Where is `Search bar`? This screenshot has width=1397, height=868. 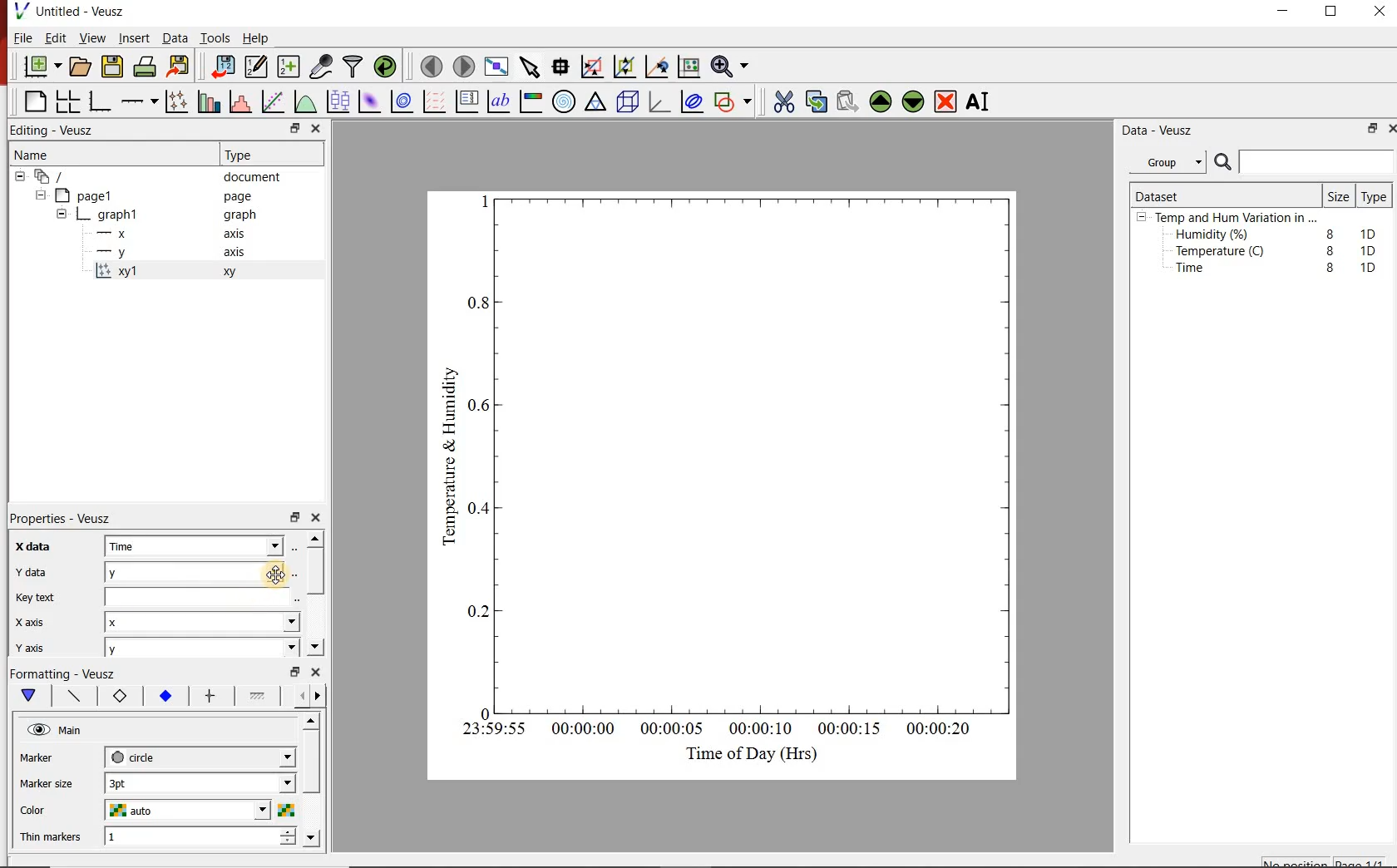
Search bar is located at coordinates (1304, 162).